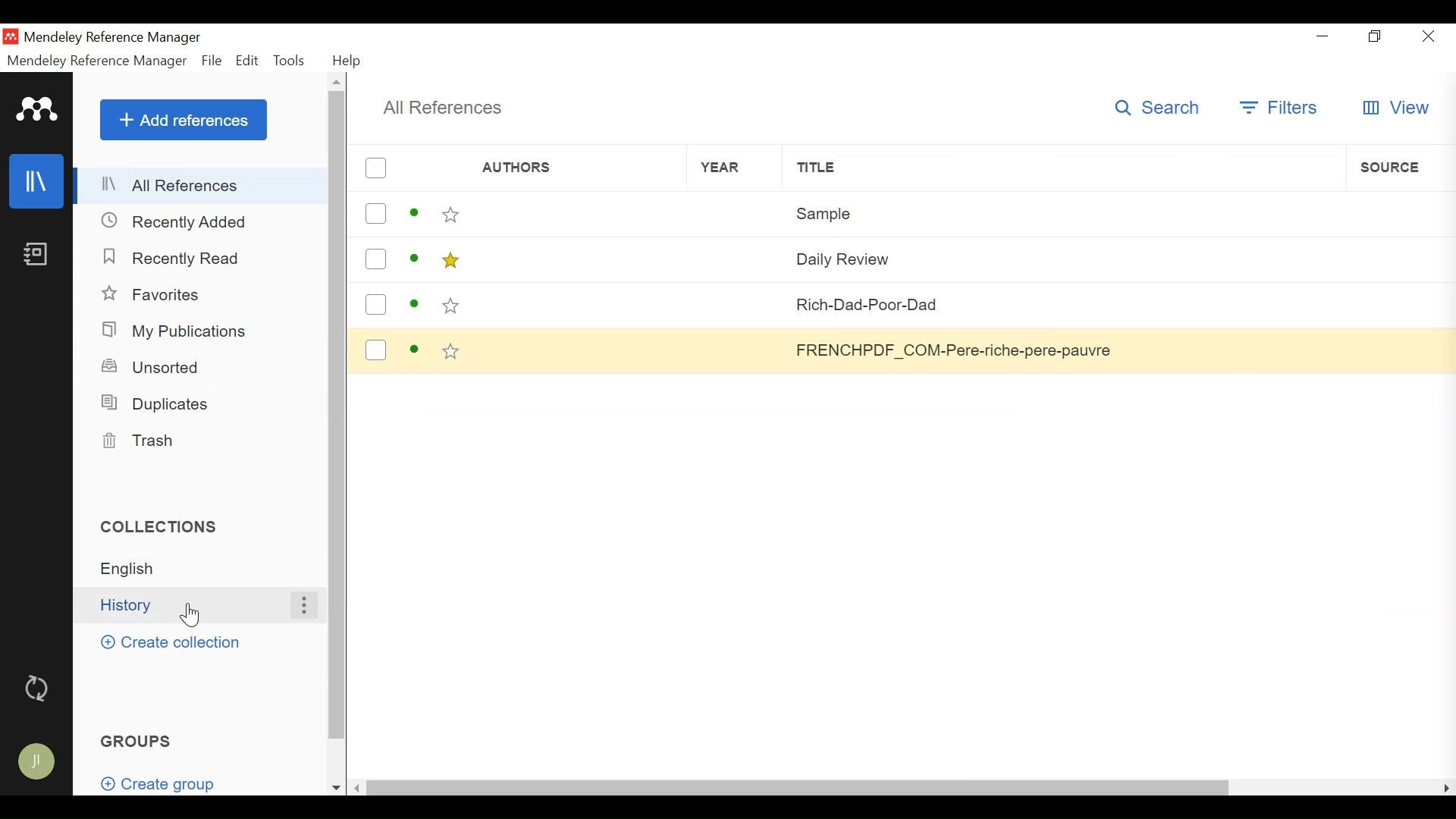 This screenshot has height=819, width=1456. Describe the element at coordinates (451, 215) in the screenshot. I see `Toggle favorites` at that location.